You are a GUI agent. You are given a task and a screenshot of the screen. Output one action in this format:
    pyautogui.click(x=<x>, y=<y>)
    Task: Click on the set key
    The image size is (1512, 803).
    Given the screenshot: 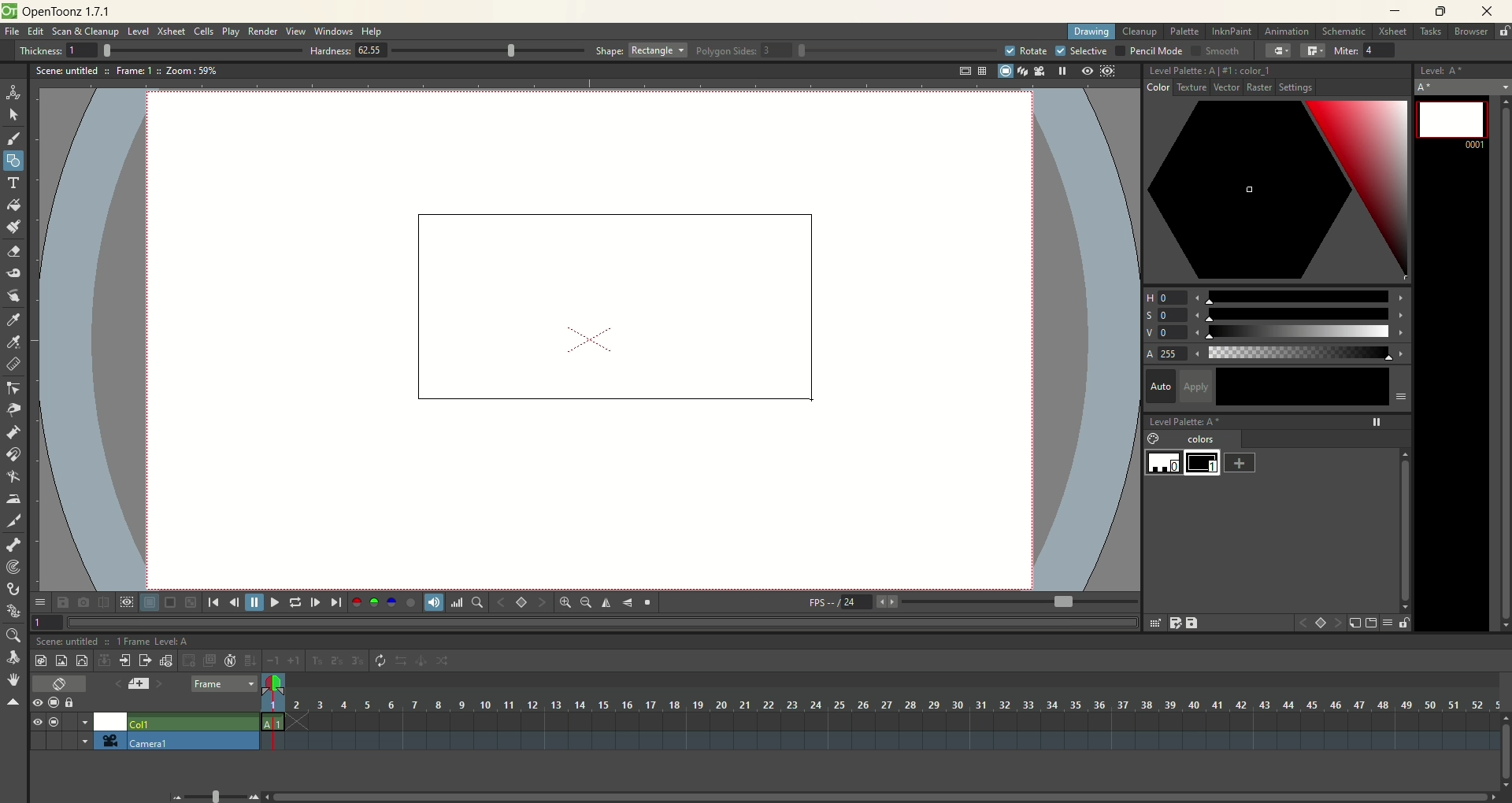 What is the action you would take?
    pyautogui.click(x=1322, y=624)
    